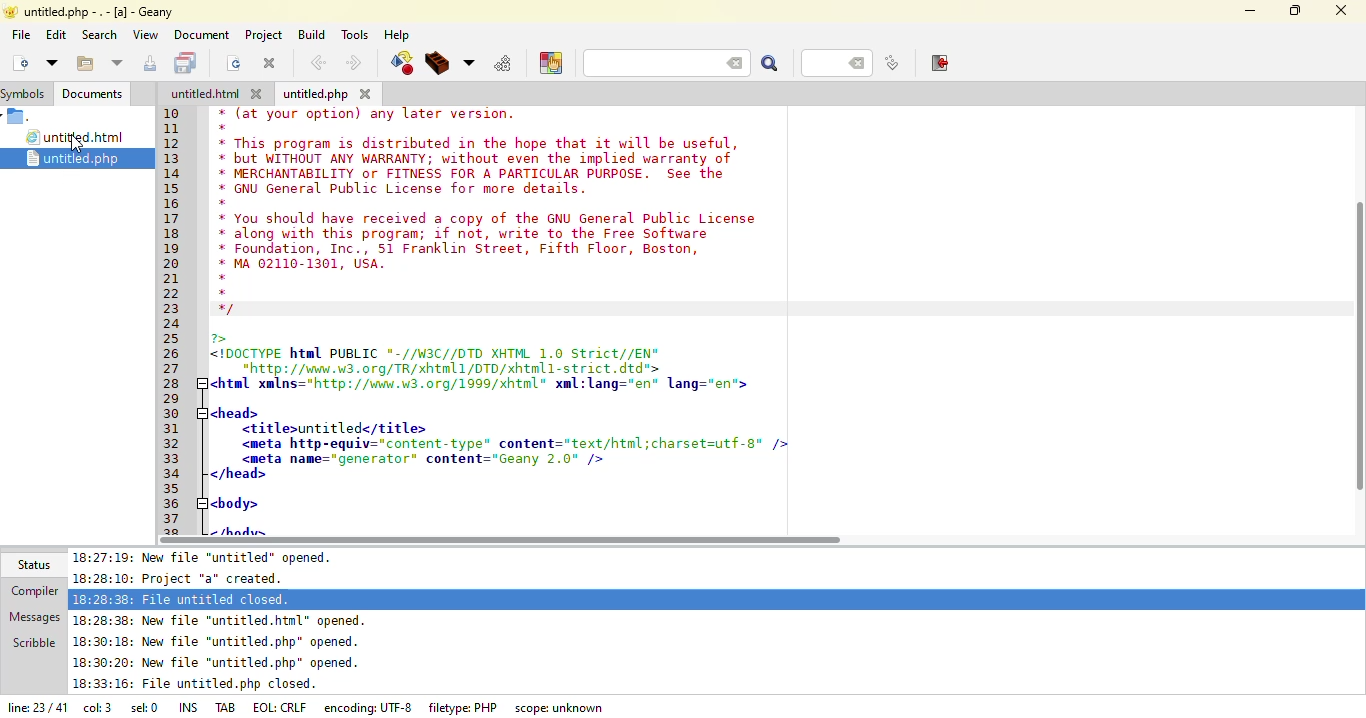 This screenshot has height=718, width=1366. Describe the element at coordinates (402, 63) in the screenshot. I see `compile` at that location.